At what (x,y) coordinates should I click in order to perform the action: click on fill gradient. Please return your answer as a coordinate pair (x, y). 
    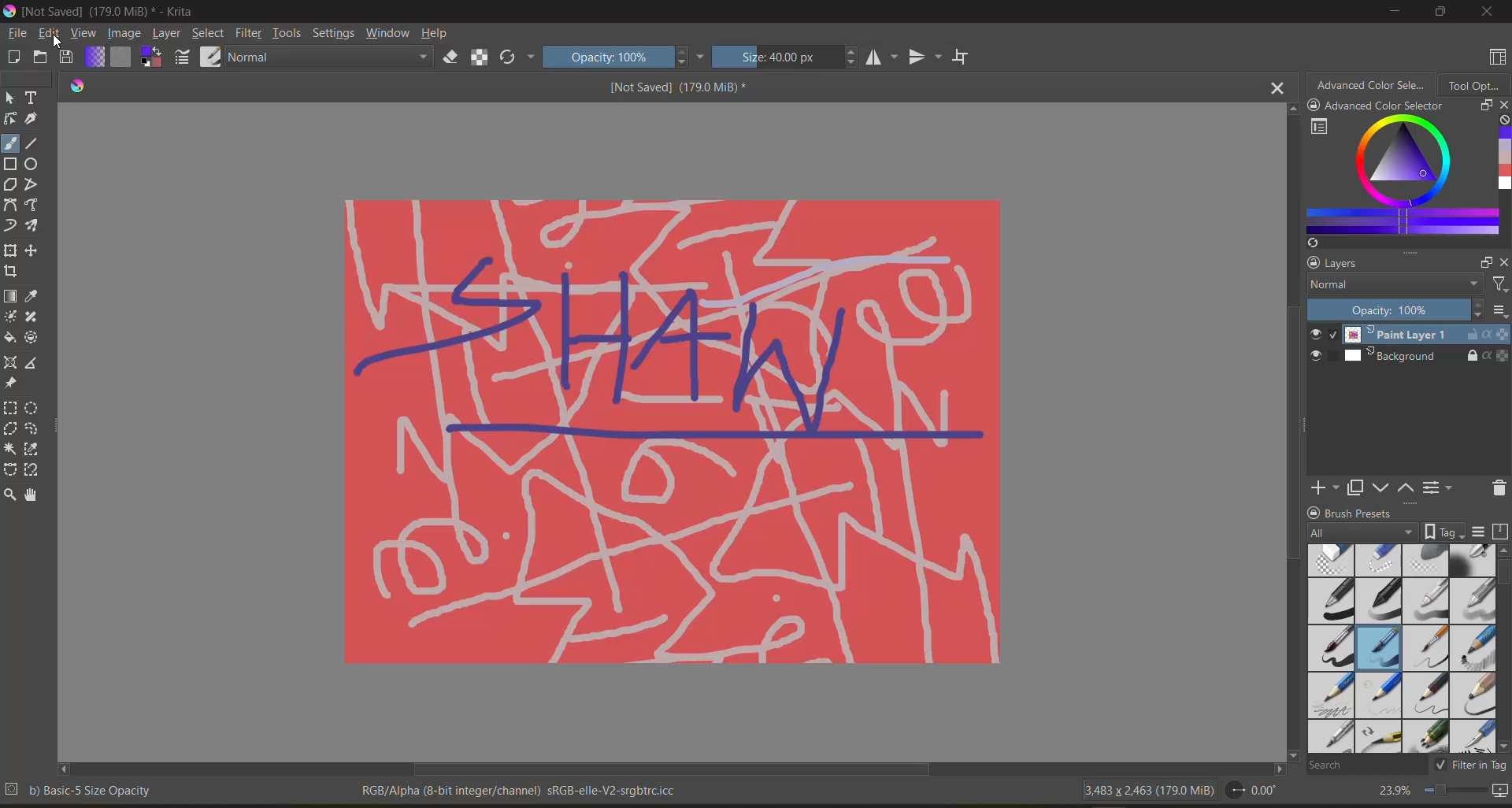
    Looking at the image, I should click on (95, 57).